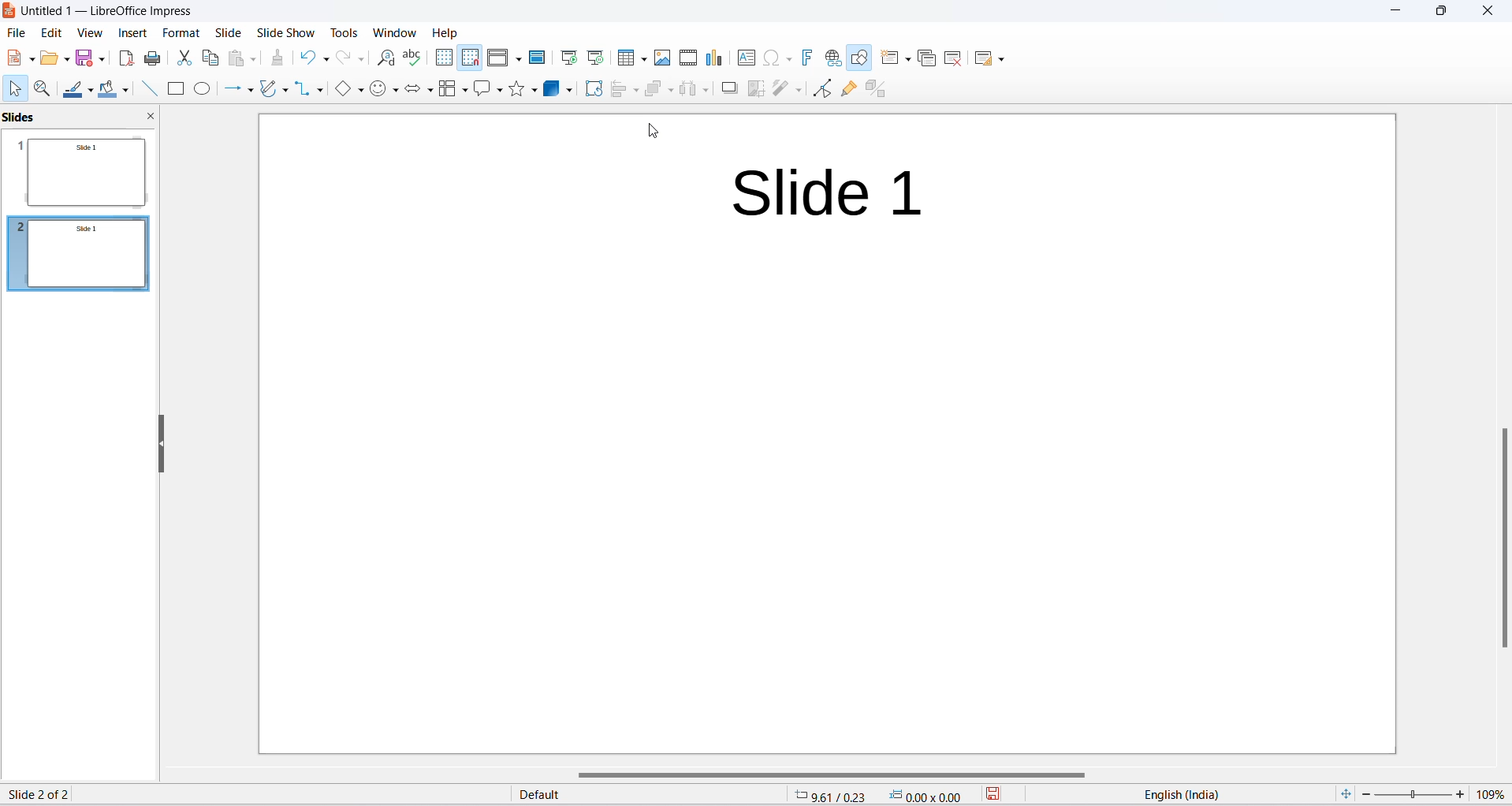 This screenshot has width=1512, height=806. I want to click on cursor, so click(654, 131).